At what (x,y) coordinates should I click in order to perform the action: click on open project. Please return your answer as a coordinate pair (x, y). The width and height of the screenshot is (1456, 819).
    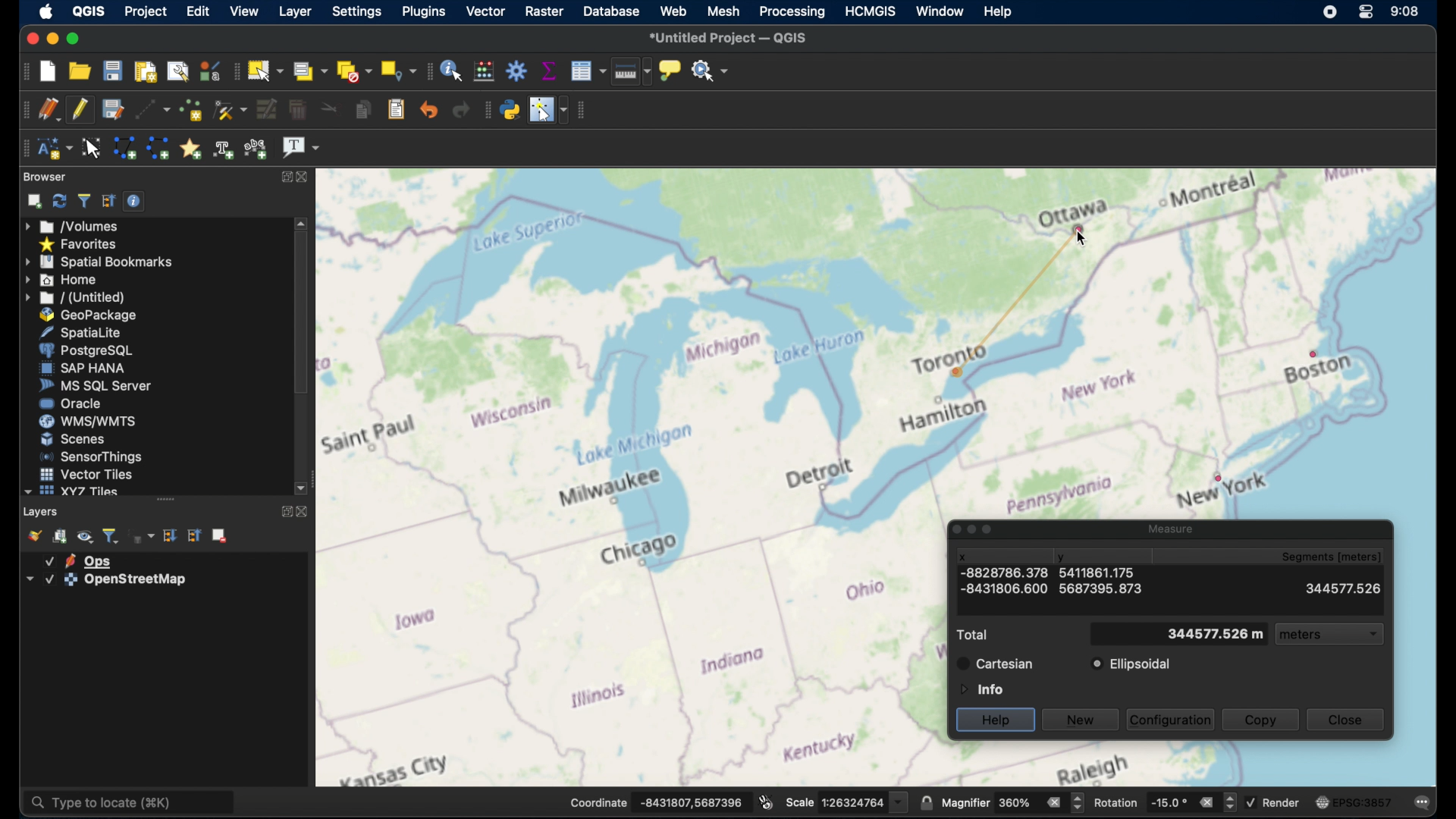
    Looking at the image, I should click on (82, 71).